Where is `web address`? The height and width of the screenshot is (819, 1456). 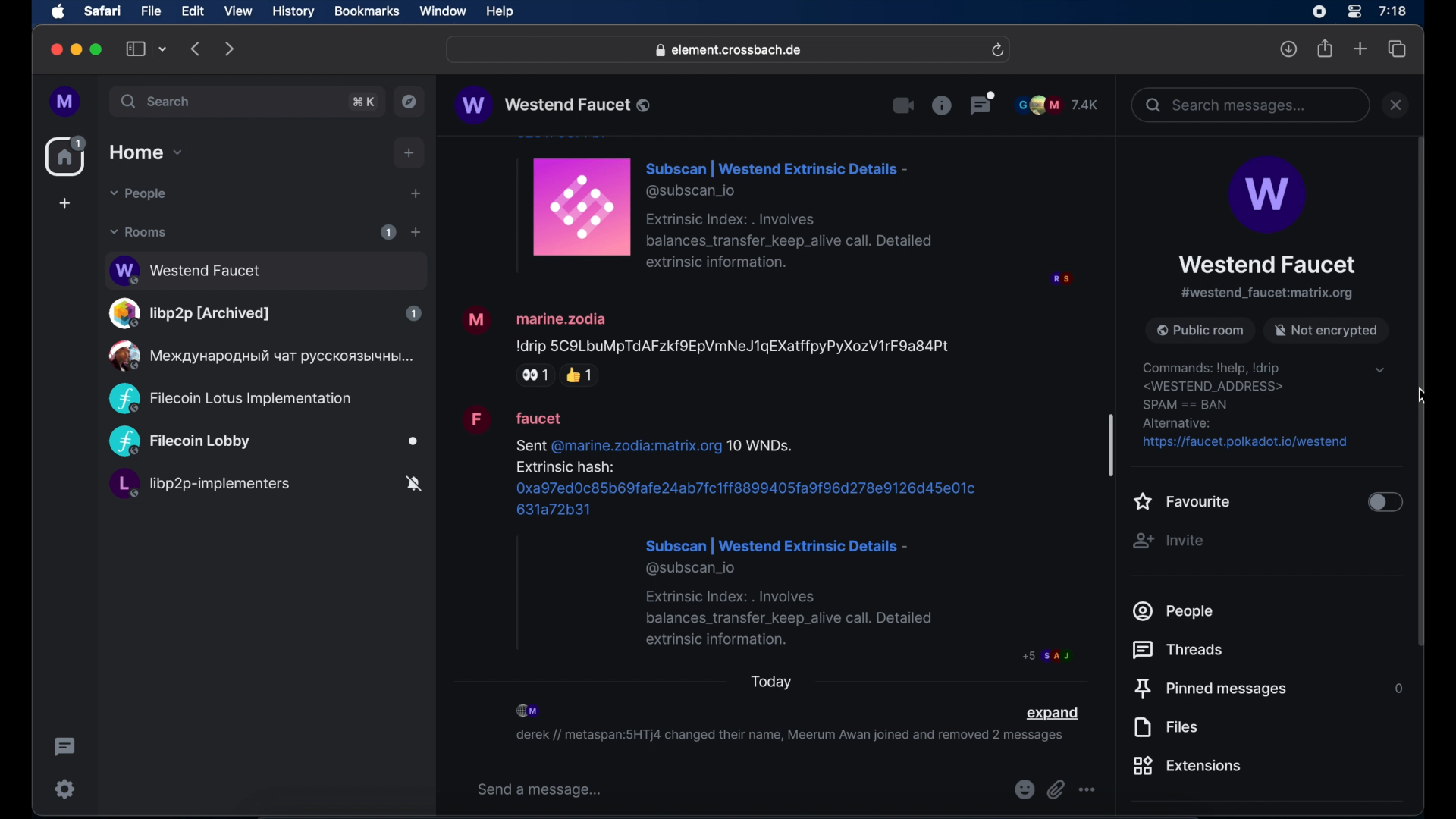 web address is located at coordinates (730, 51).